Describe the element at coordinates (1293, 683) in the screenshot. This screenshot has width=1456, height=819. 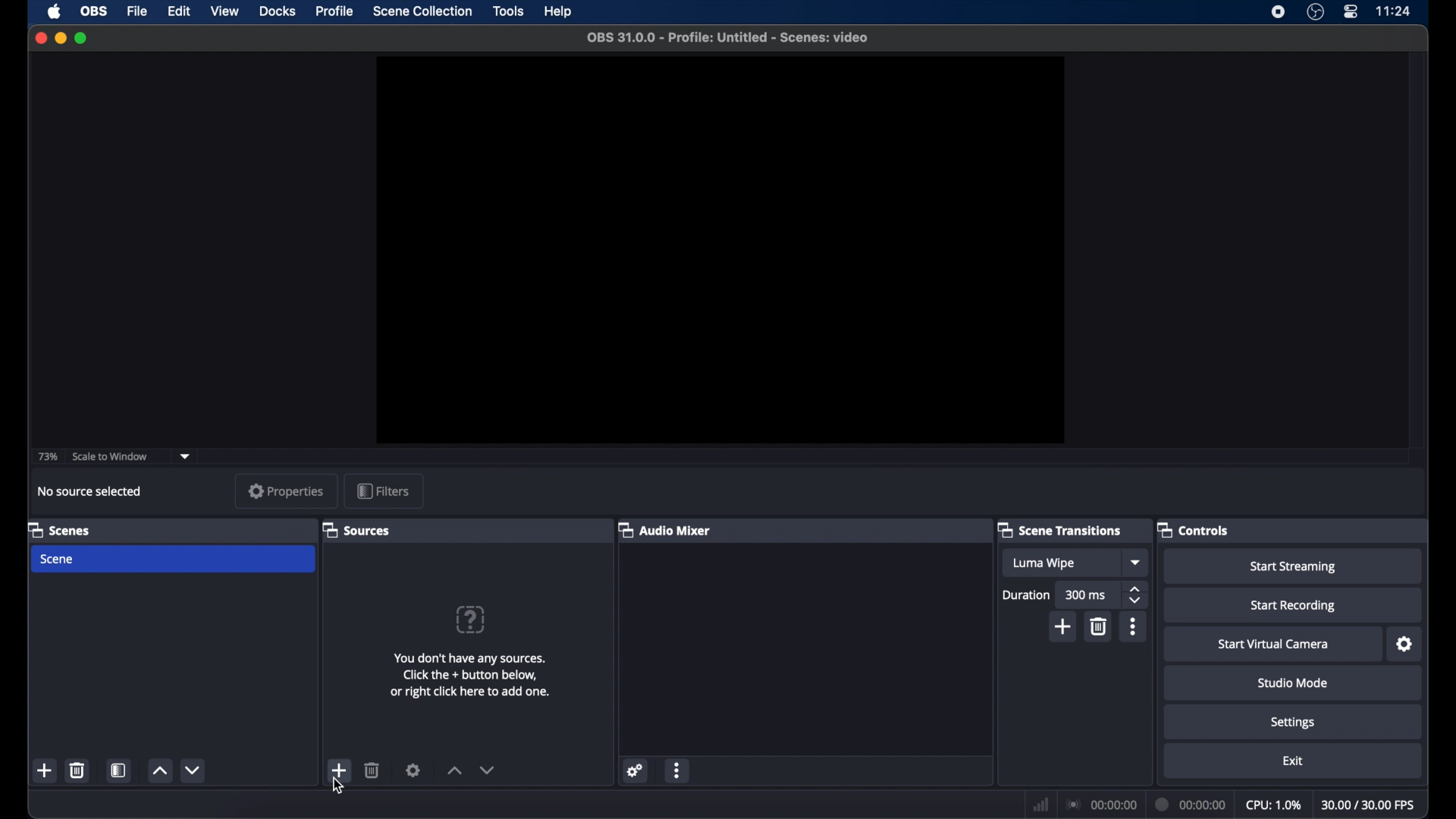
I see `studio mode` at that location.